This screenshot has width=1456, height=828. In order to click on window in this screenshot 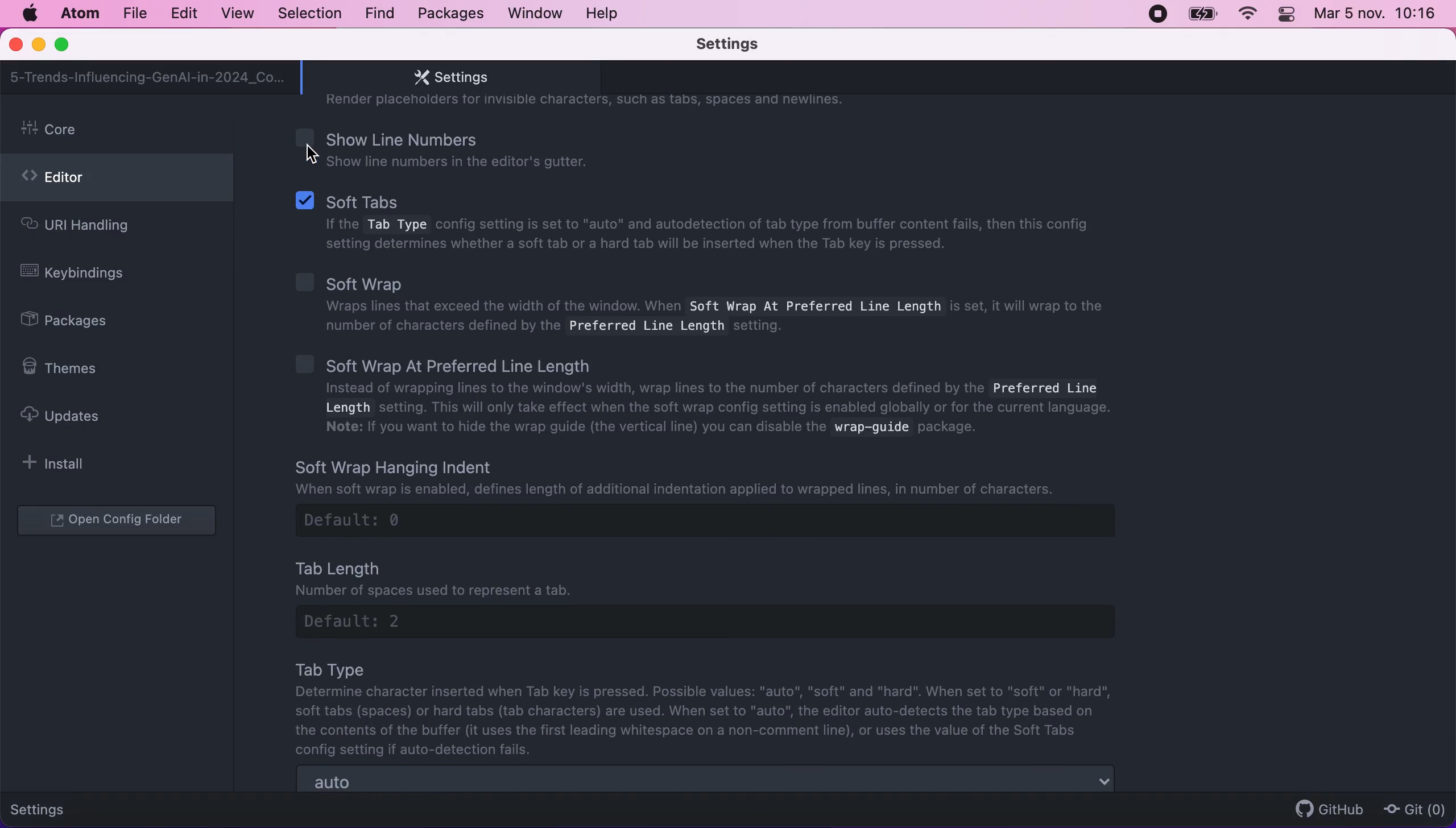, I will do `click(536, 13)`.